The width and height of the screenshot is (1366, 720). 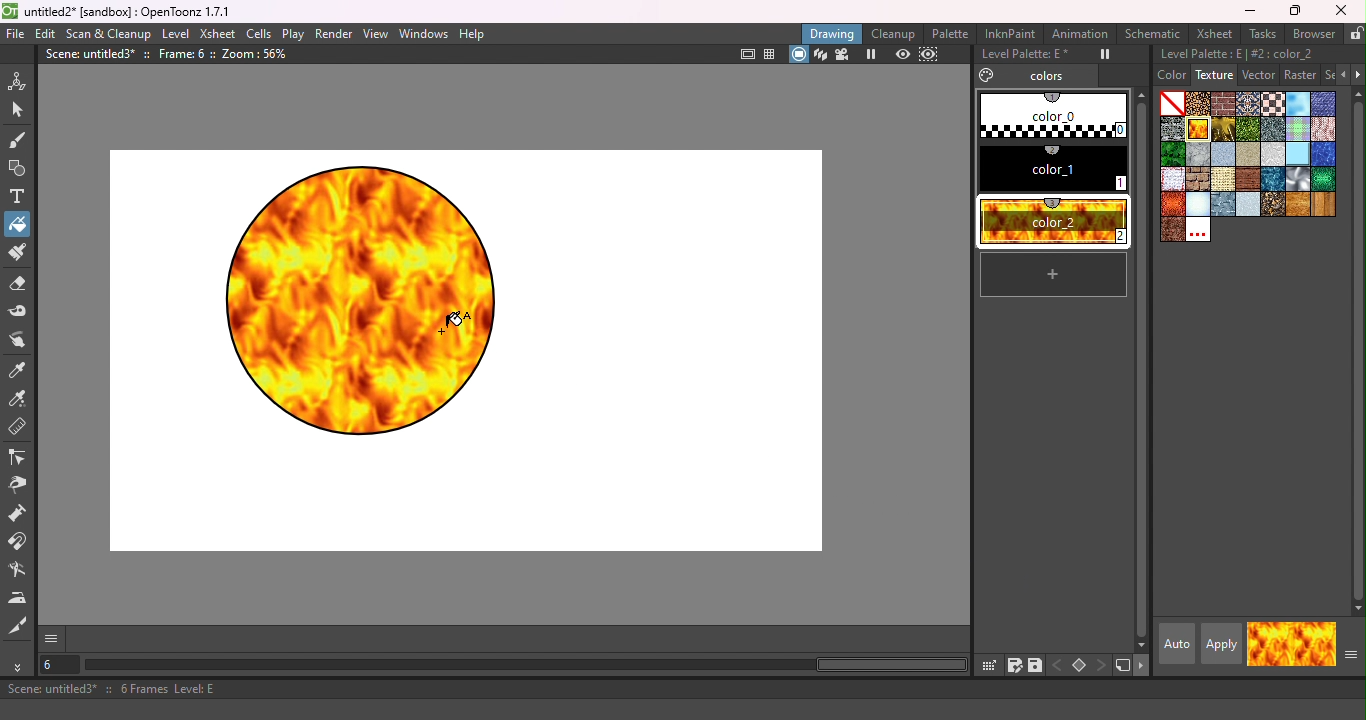 I want to click on Plain color, so click(x=1172, y=103).